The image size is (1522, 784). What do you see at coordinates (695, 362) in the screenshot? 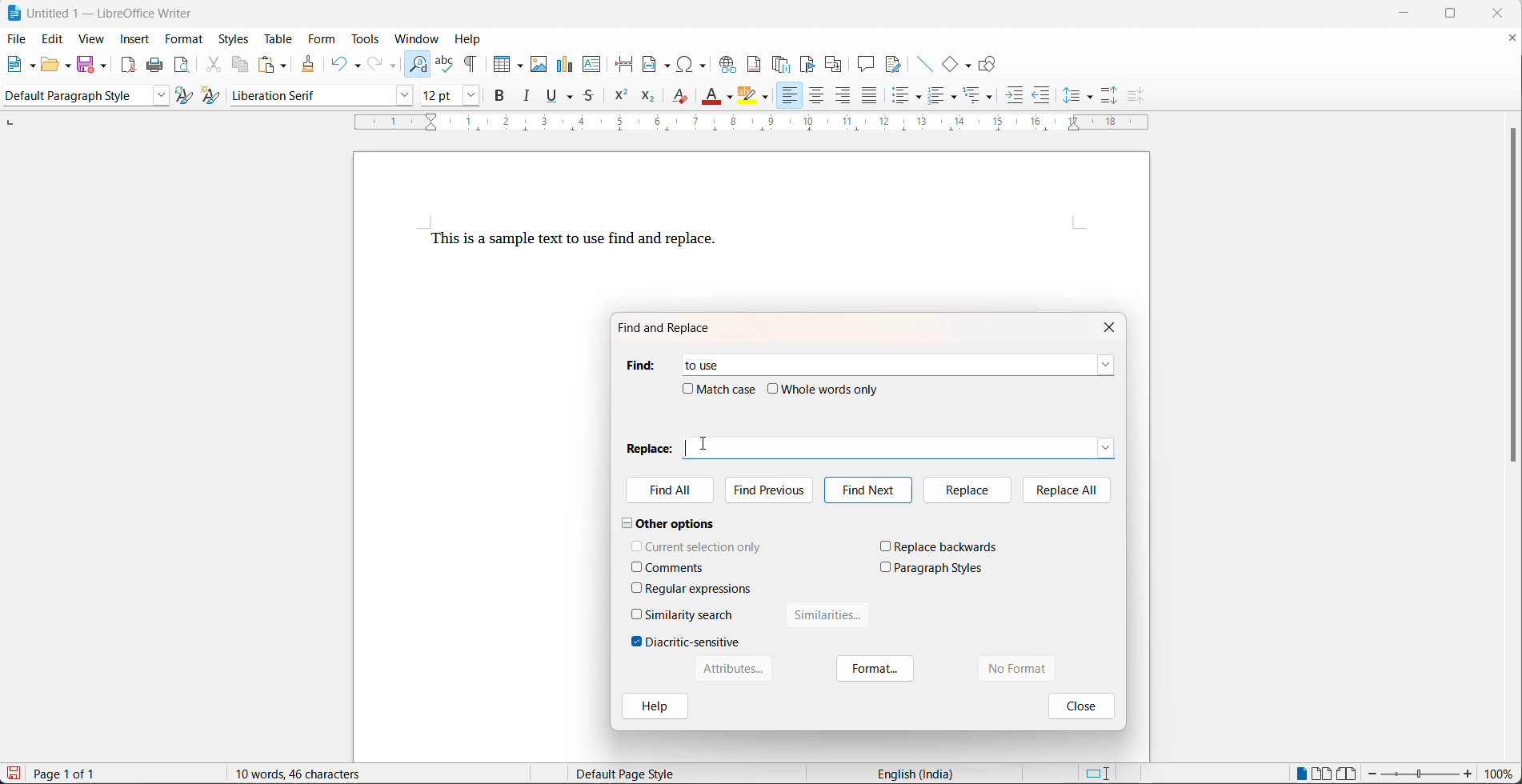
I see `to use` at bounding box center [695, 362].